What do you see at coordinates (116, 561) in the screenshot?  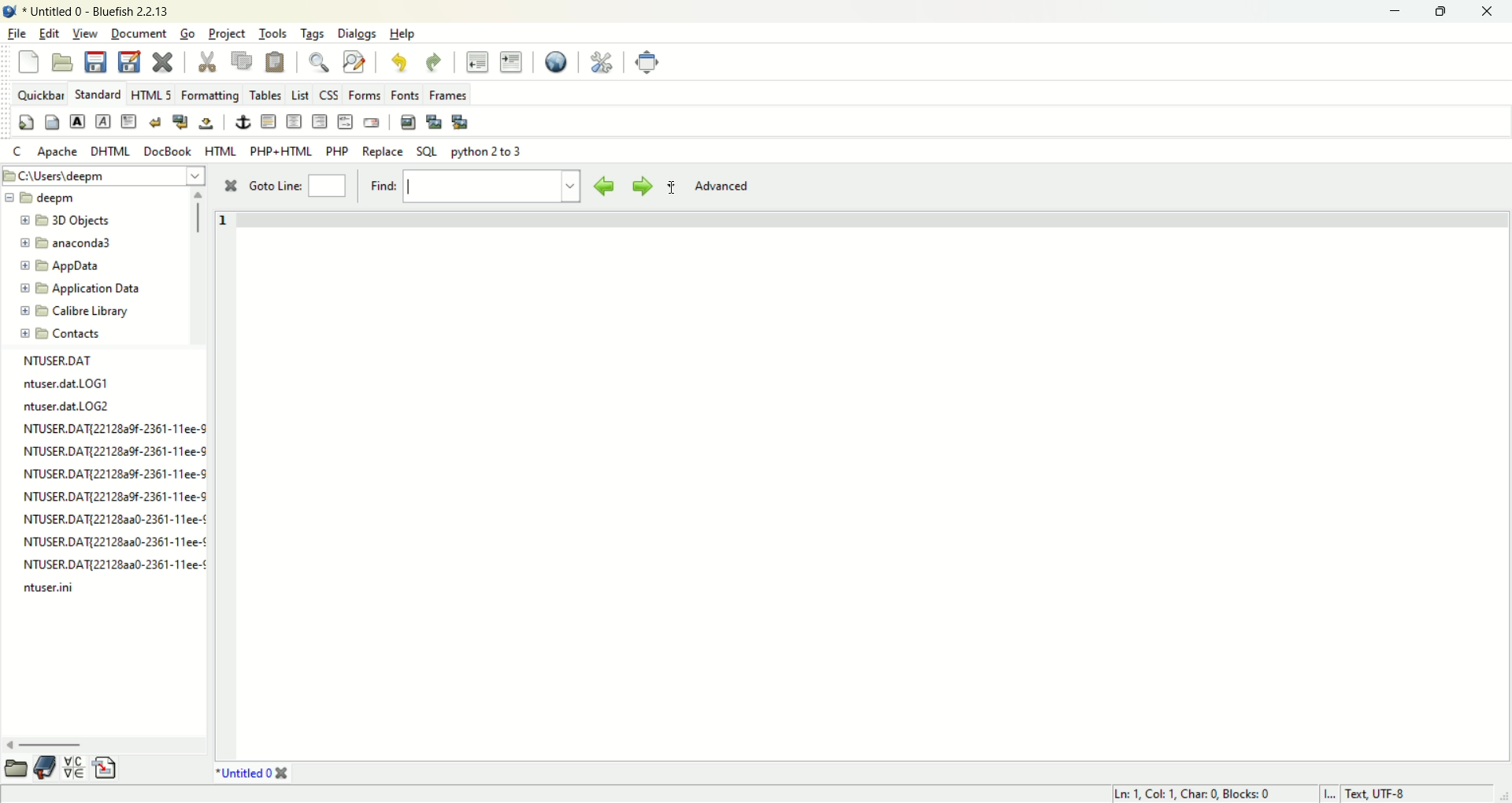 I see `NTUSER.DAT{22128aa0-2361-11ee-¢` at bounding box center [116, 561].